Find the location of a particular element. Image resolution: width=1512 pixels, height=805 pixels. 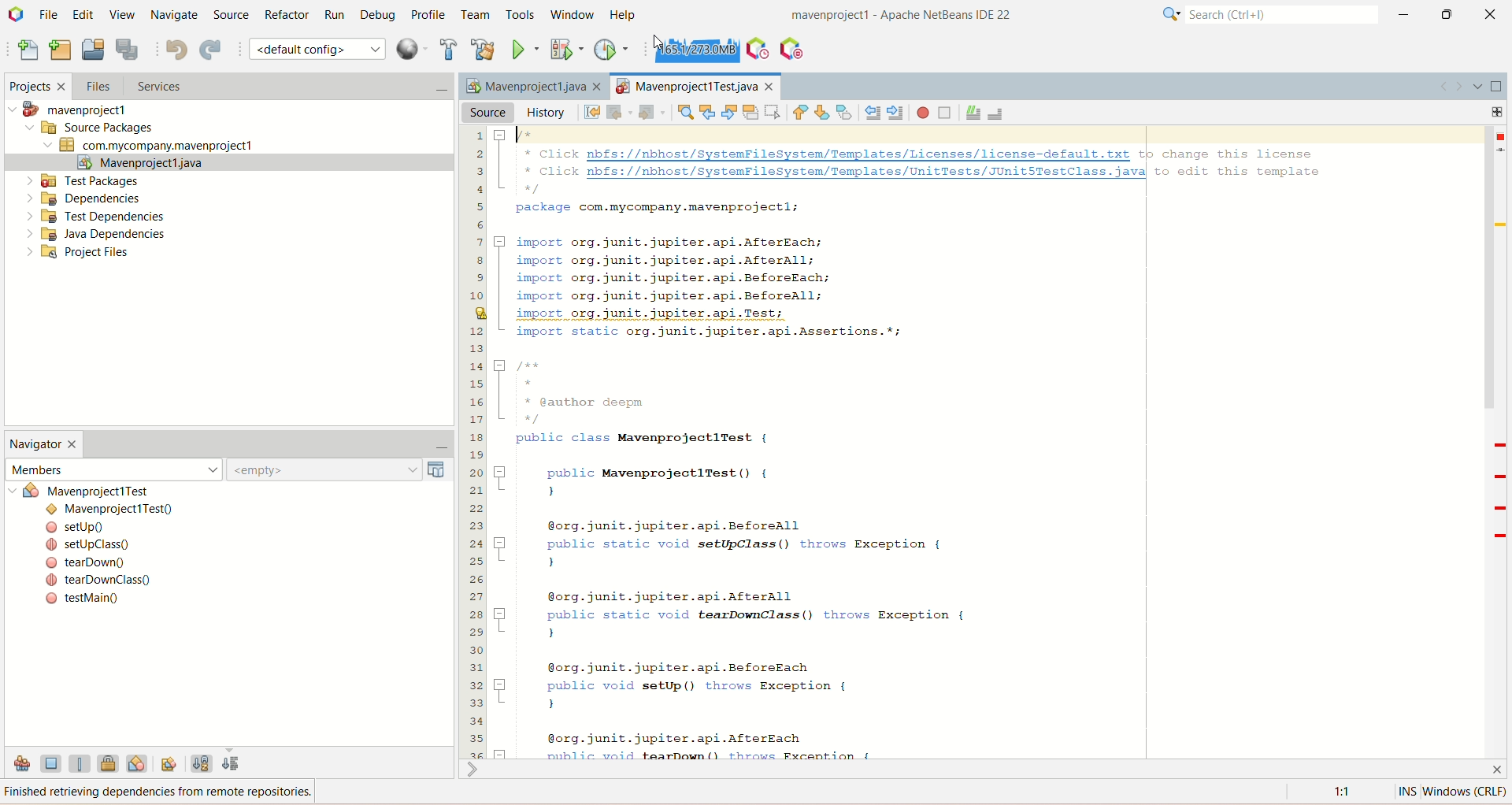

maximize is located at coordinates (1455, 18).